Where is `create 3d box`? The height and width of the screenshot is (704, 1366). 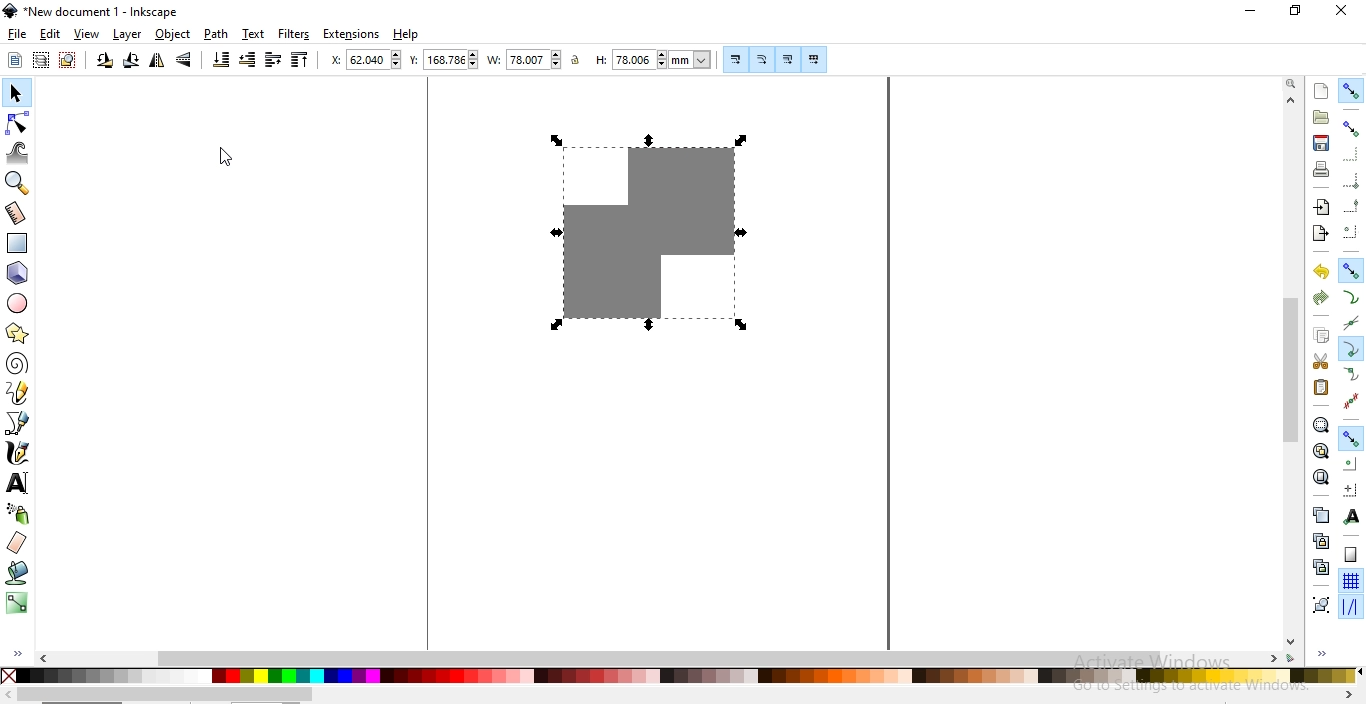
create 3d box is located at coordinates (20, 273).